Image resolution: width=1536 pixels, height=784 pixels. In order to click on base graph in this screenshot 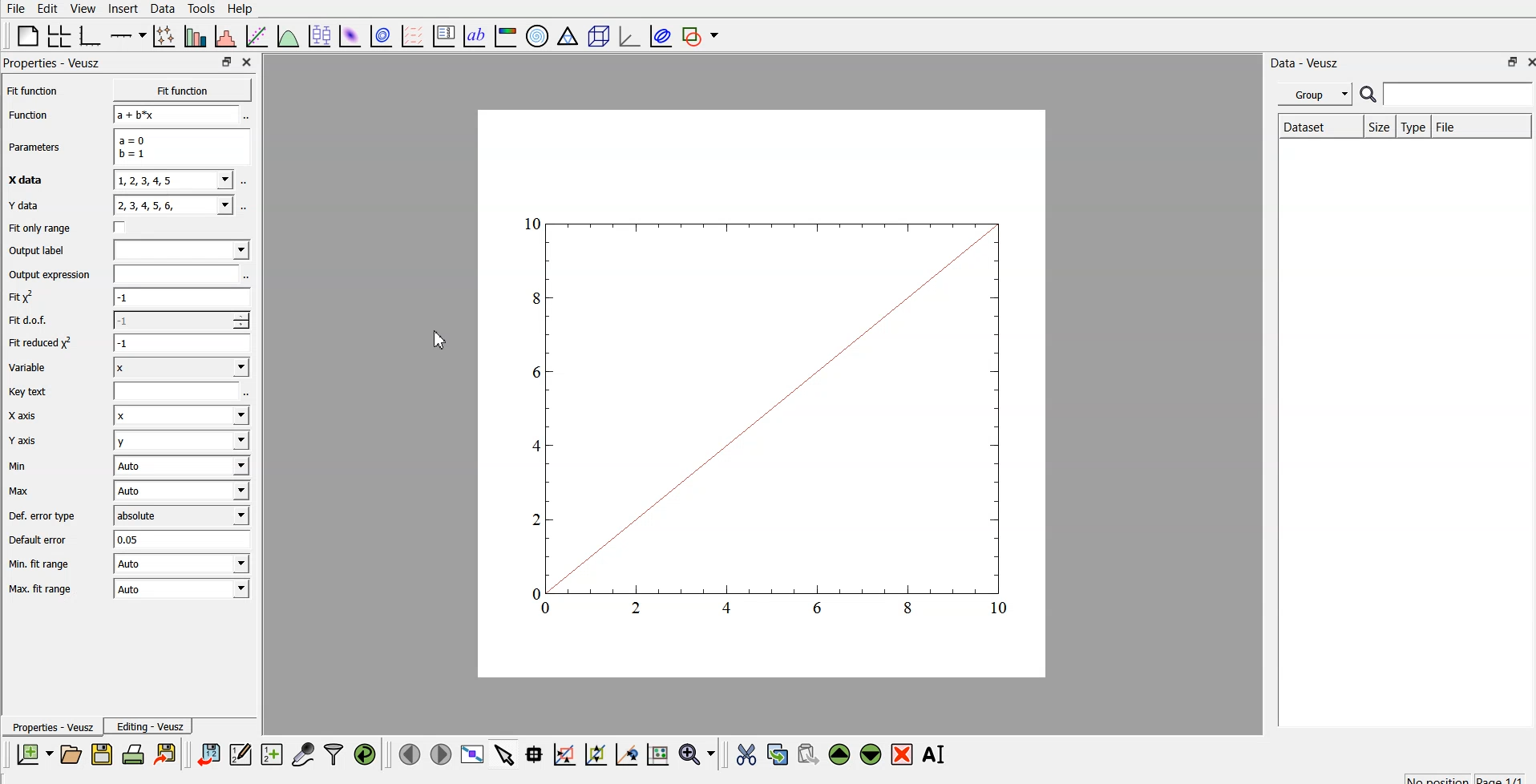, I will do `click(89, 37)`.